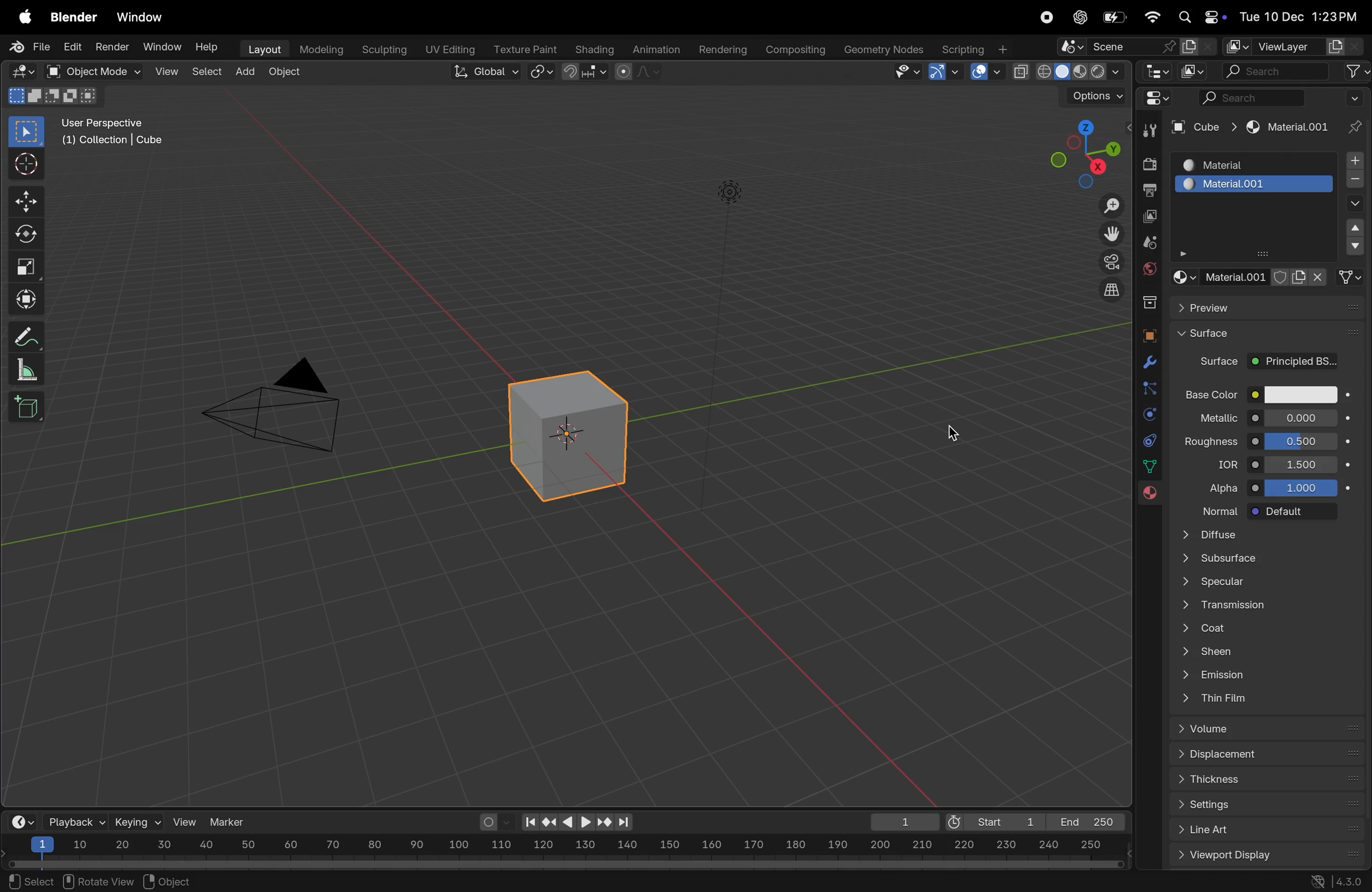 The height and width of the screenshot is (892, 1372). What do you see at coordinates (1263, 583) in the screenshot?
I see `specular` at bounding box center [1263, 583].